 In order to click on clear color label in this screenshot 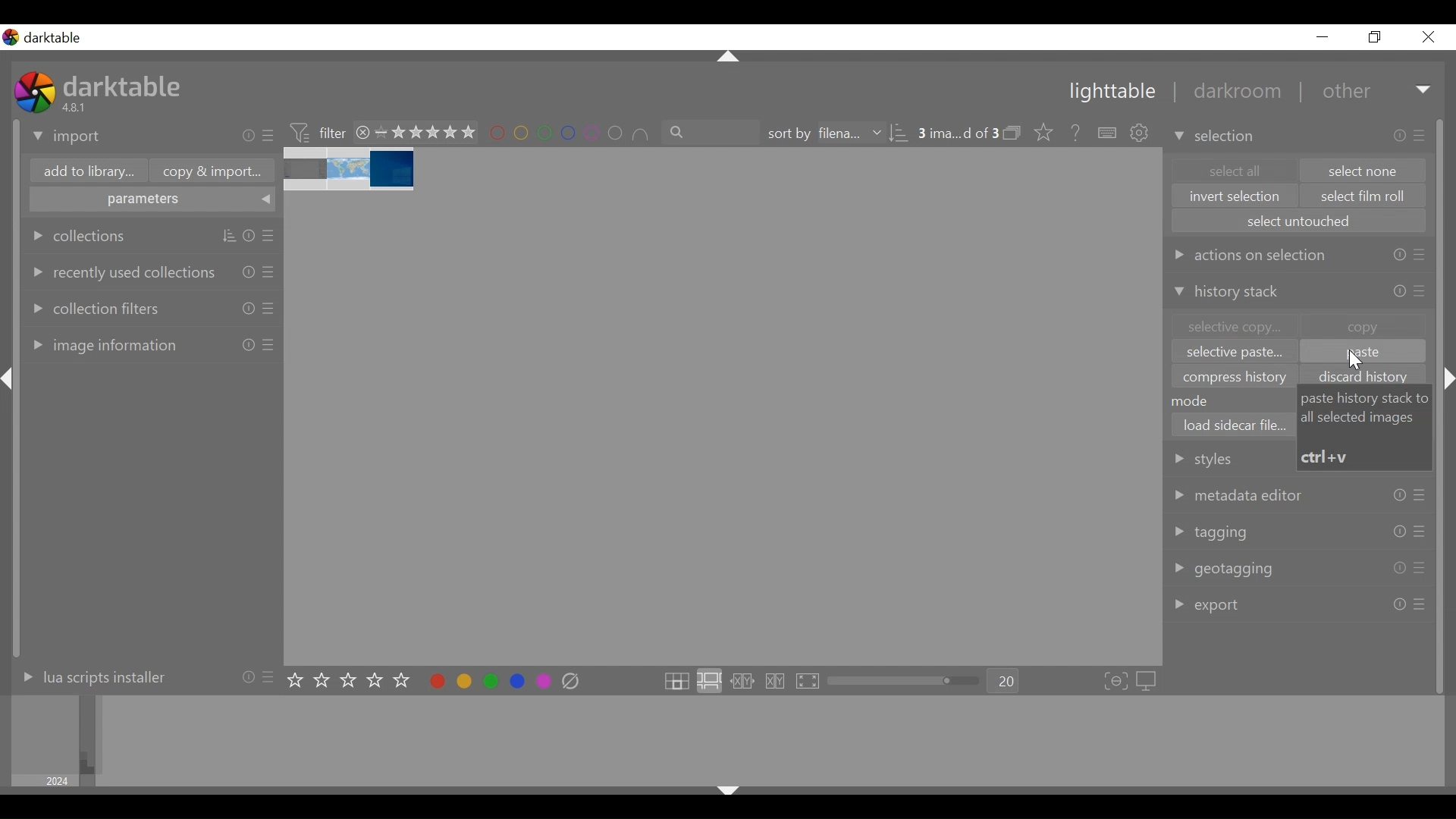, I will do `click(575, 682)`.